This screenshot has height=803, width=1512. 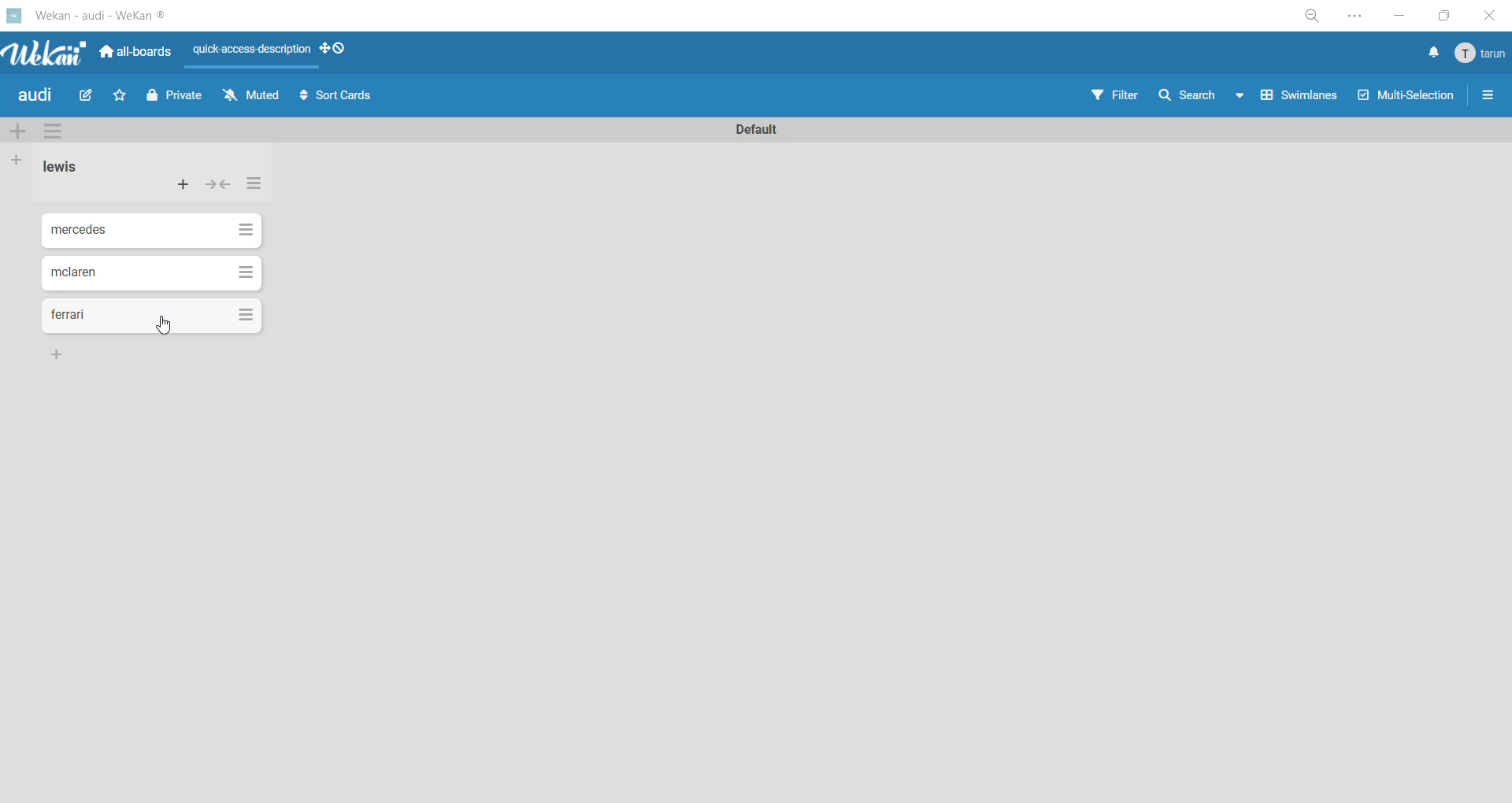 What do you see at coordinates (343, 98) in the screenshot?
I see `sort cards` at bounding box center [343, 98].